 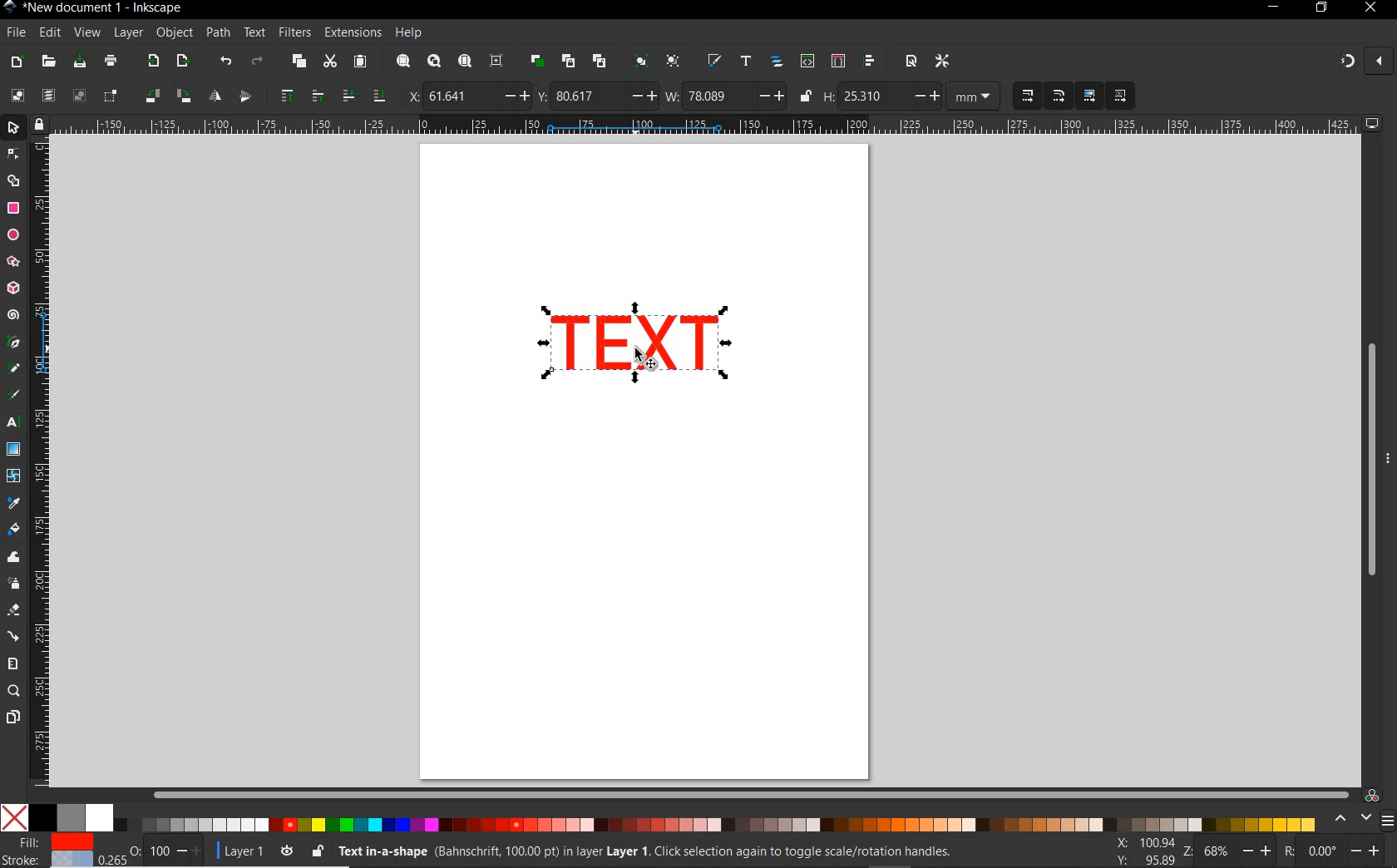 What do you see at coordinates (317, 850) in the screenshot?
I see `lock/unlock current layer` at bounding box center [317, 850].